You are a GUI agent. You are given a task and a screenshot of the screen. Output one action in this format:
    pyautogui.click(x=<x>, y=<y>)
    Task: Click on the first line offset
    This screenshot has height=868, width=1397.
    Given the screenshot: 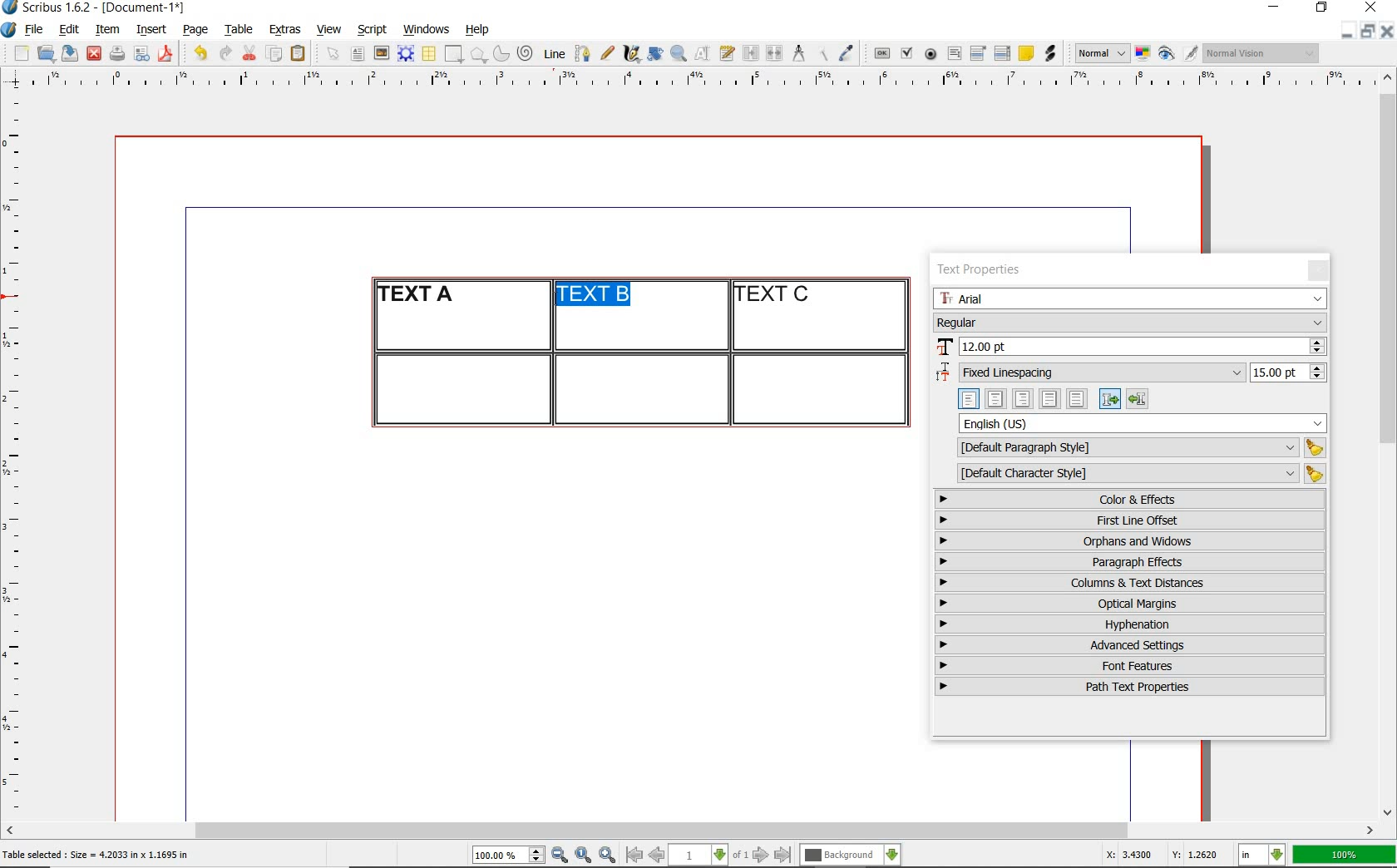 What is the action you would take?
    pyautogui.click(x=1131, y=520)
    